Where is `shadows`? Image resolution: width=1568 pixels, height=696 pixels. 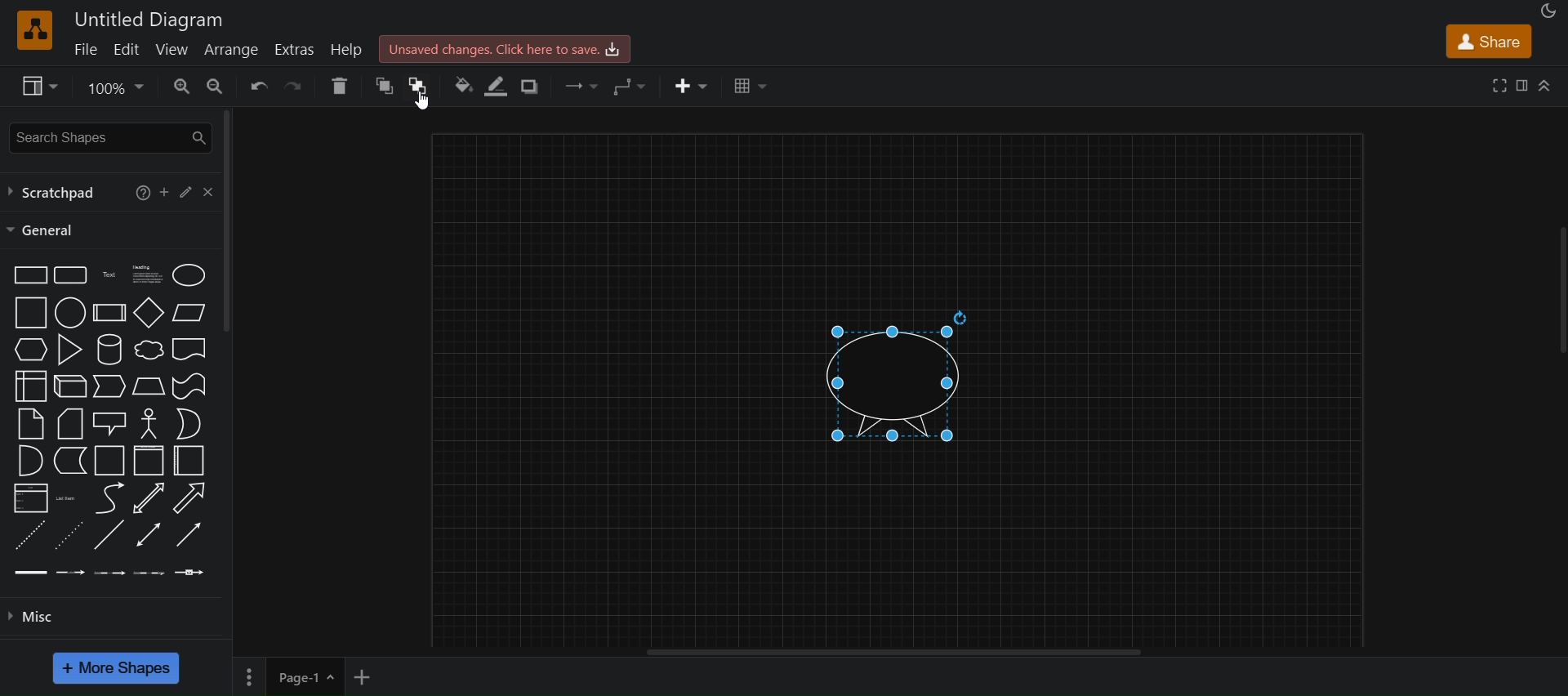 shadows is located at coordinates (534, 88).